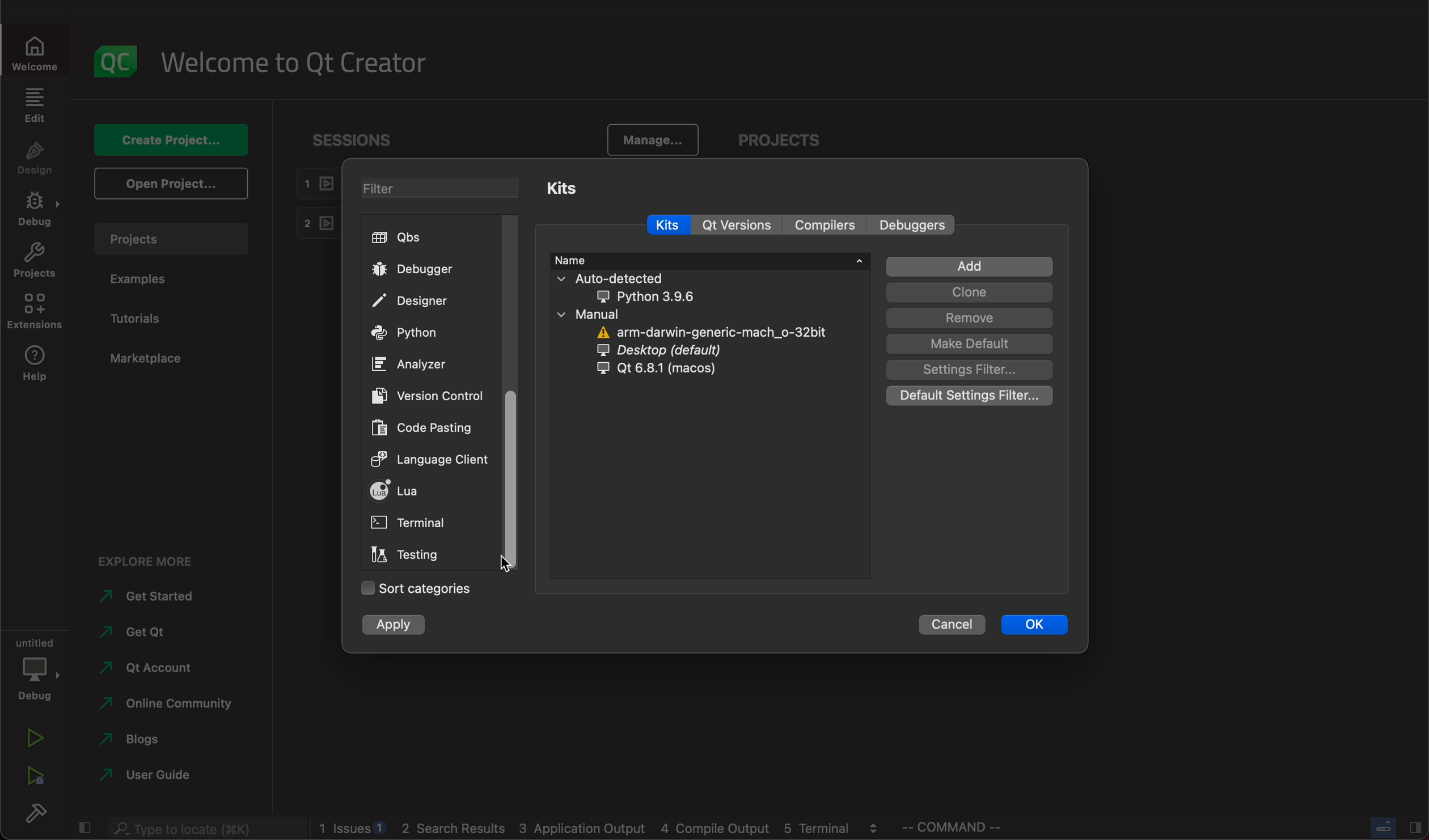 The image size is (1429, 840). I want to click on lua, so click(407, 490).